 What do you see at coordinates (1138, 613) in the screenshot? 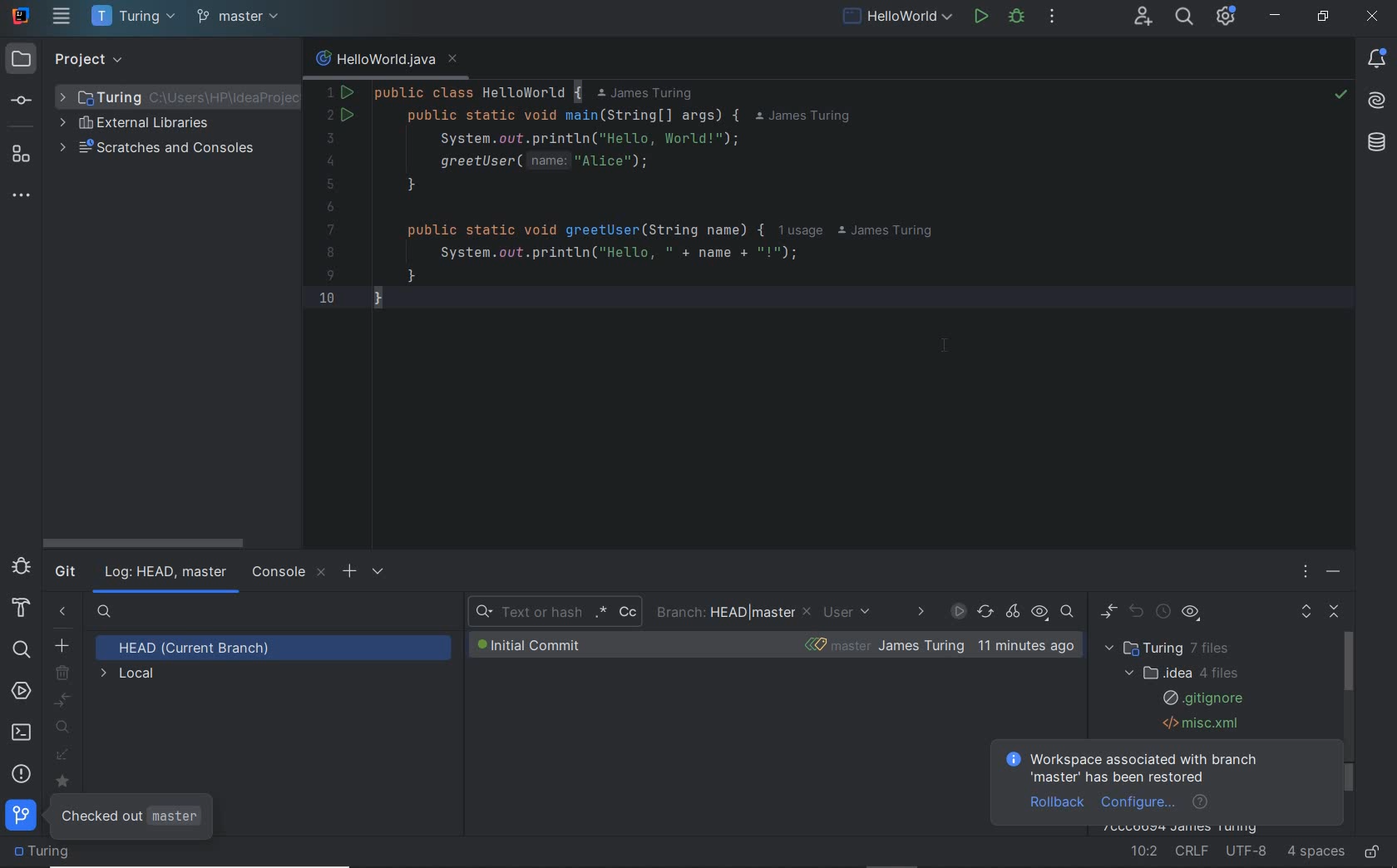
I see `revert` at bounding box center [1138, 613].